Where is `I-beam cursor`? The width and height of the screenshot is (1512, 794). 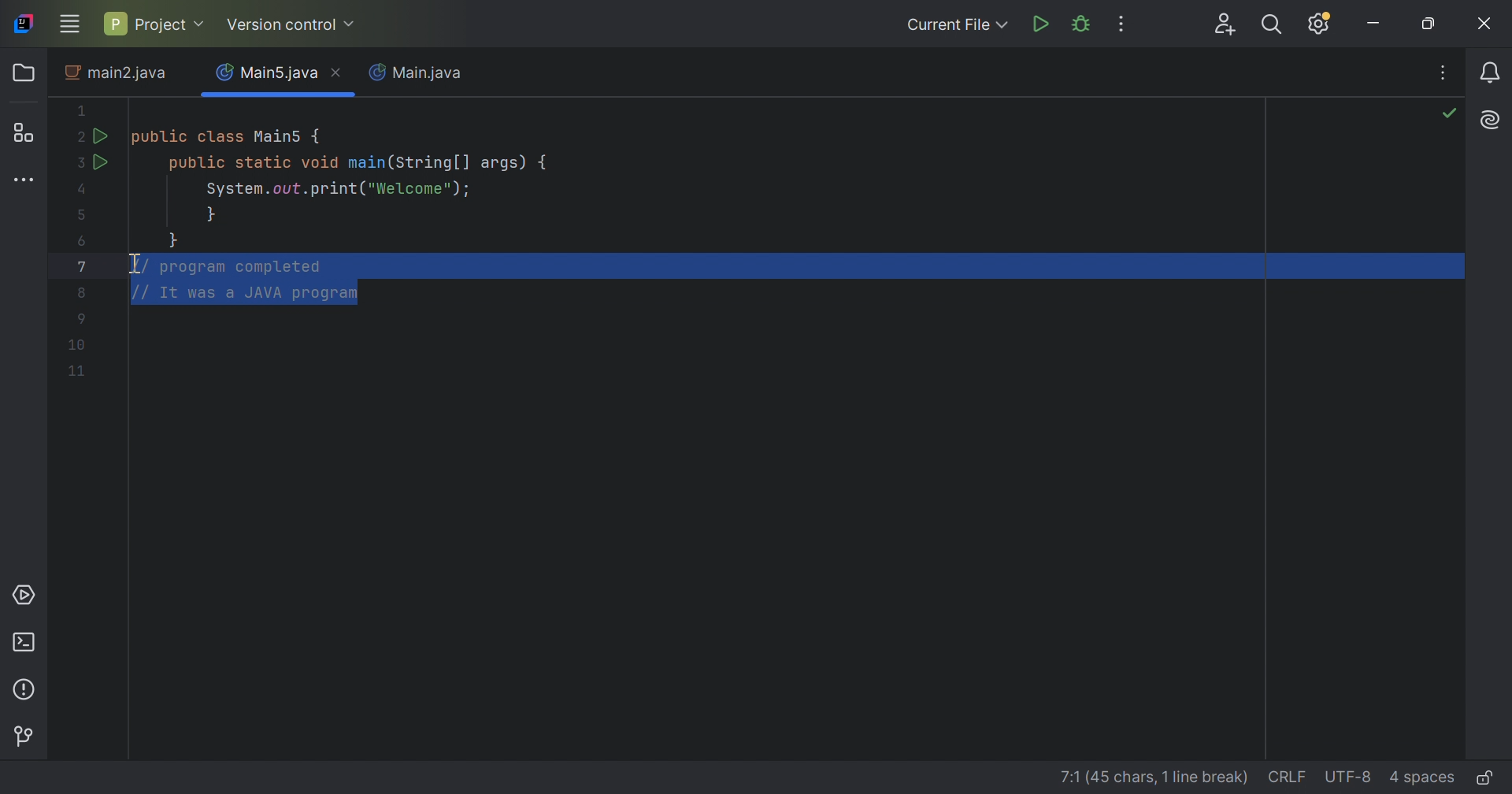 I-beam cursor is located at coordinates (131, 264).